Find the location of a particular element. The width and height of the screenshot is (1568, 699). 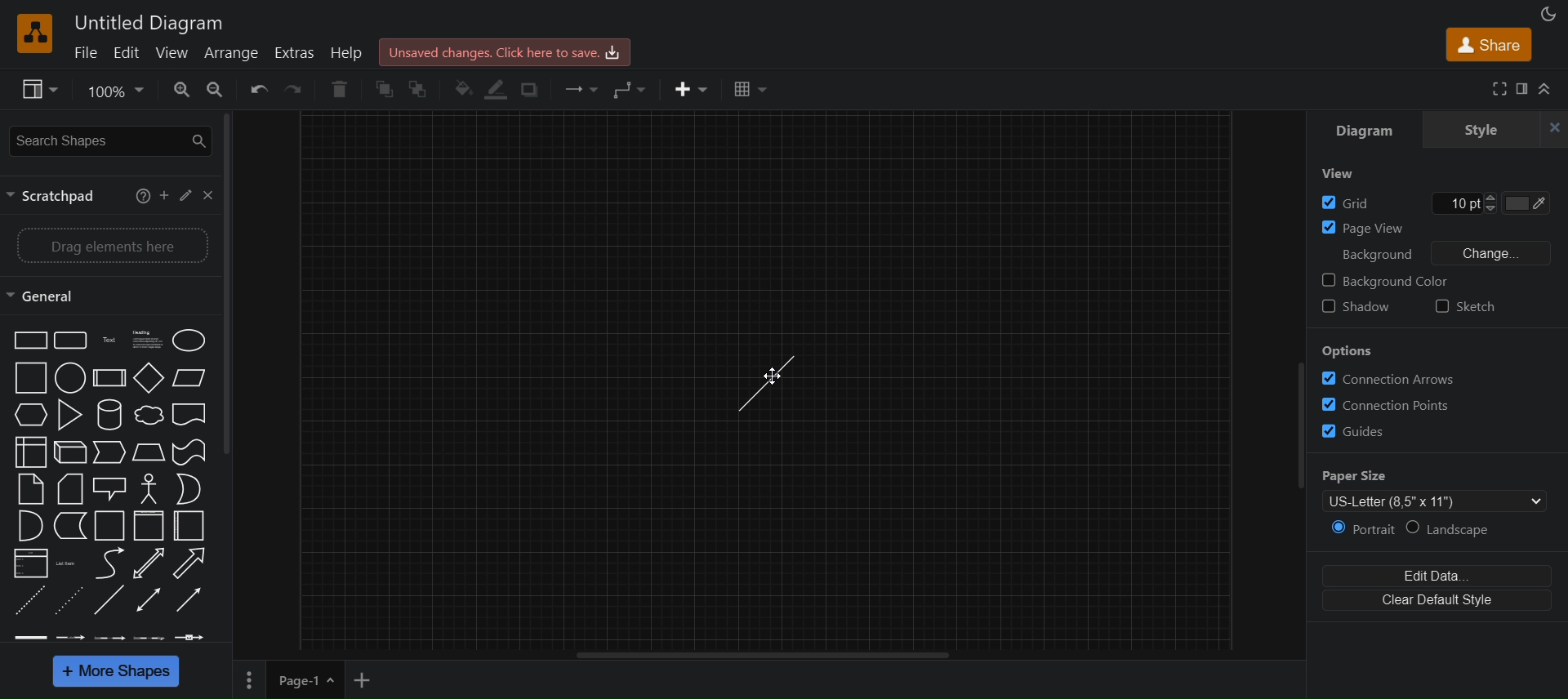

dotted line is located at coordinates (69, 602).